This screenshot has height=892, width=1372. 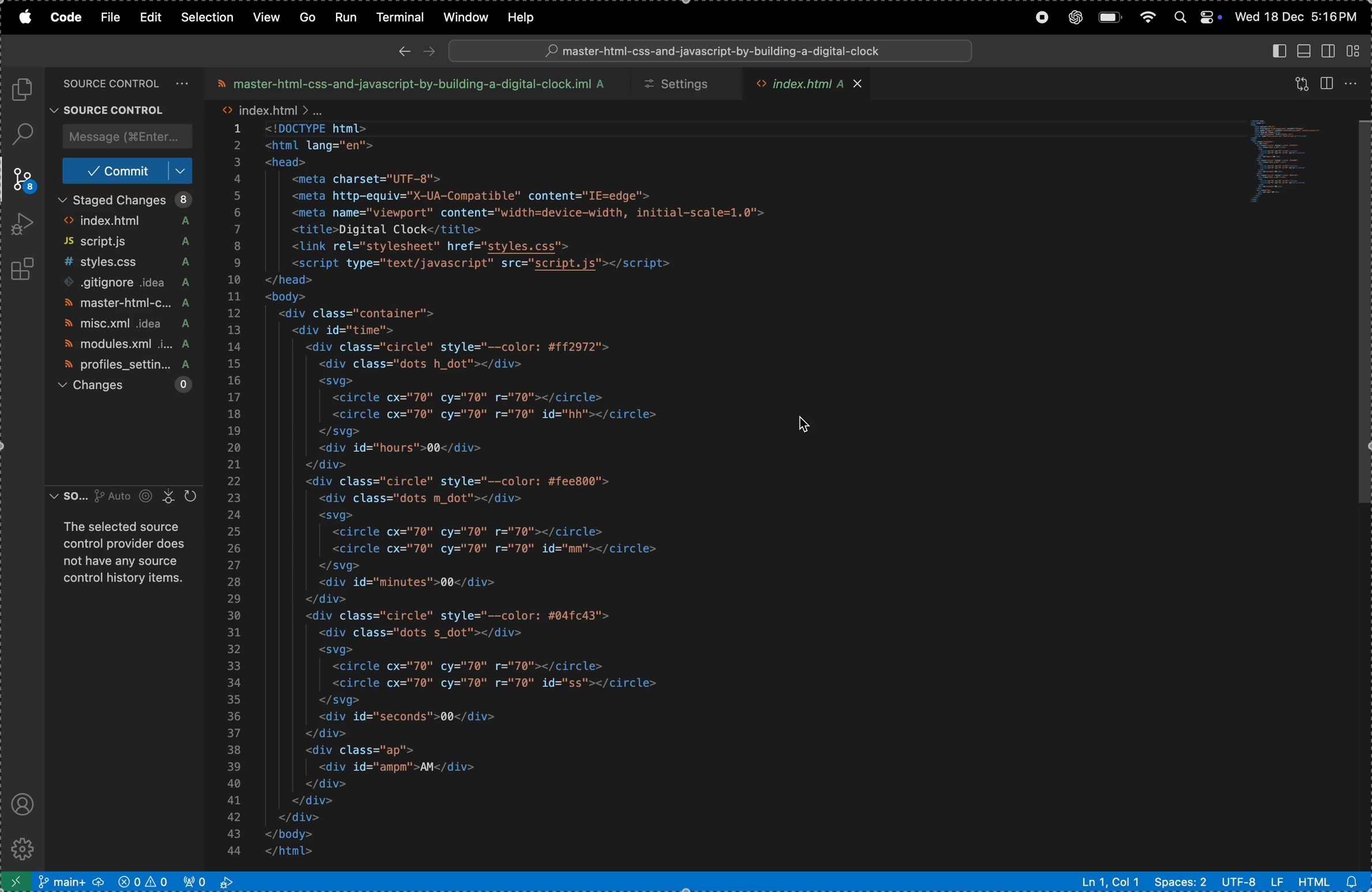 I want to click on run, so click(x=342, y=16).